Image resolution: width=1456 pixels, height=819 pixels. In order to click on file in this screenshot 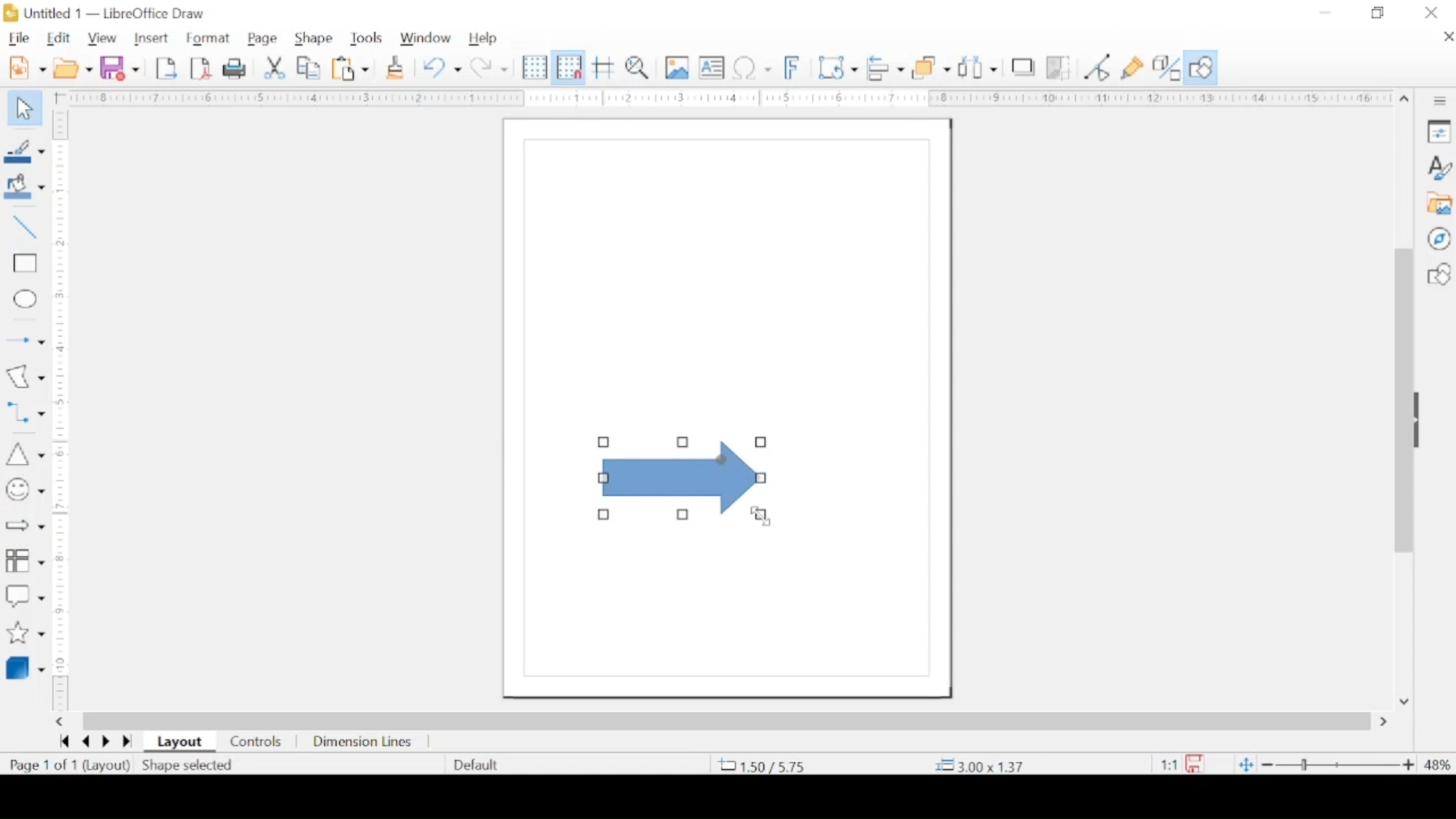, I will do `click(19, 39)`.